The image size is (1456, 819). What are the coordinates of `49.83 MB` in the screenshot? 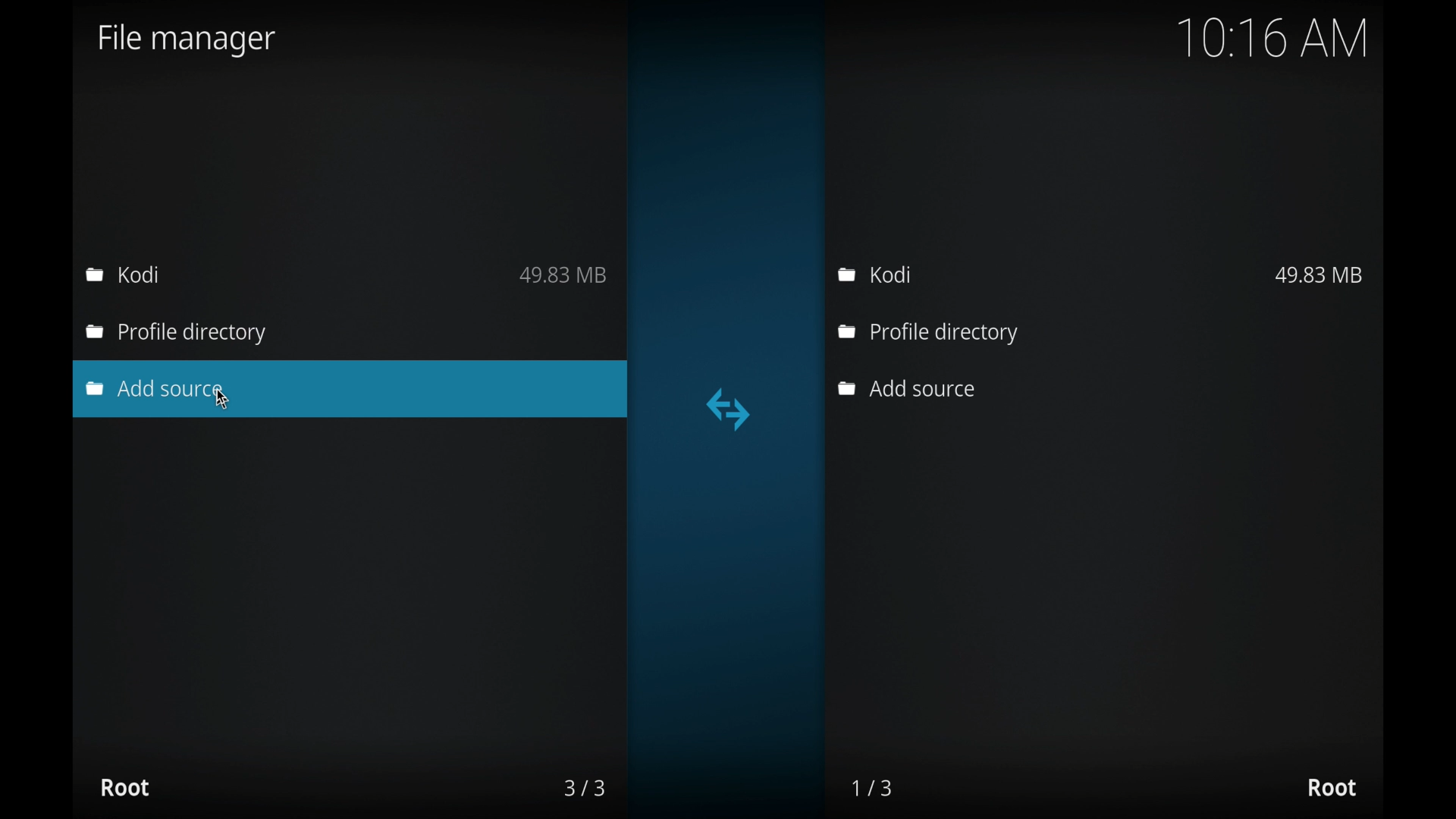 It's located at (1319, 275).